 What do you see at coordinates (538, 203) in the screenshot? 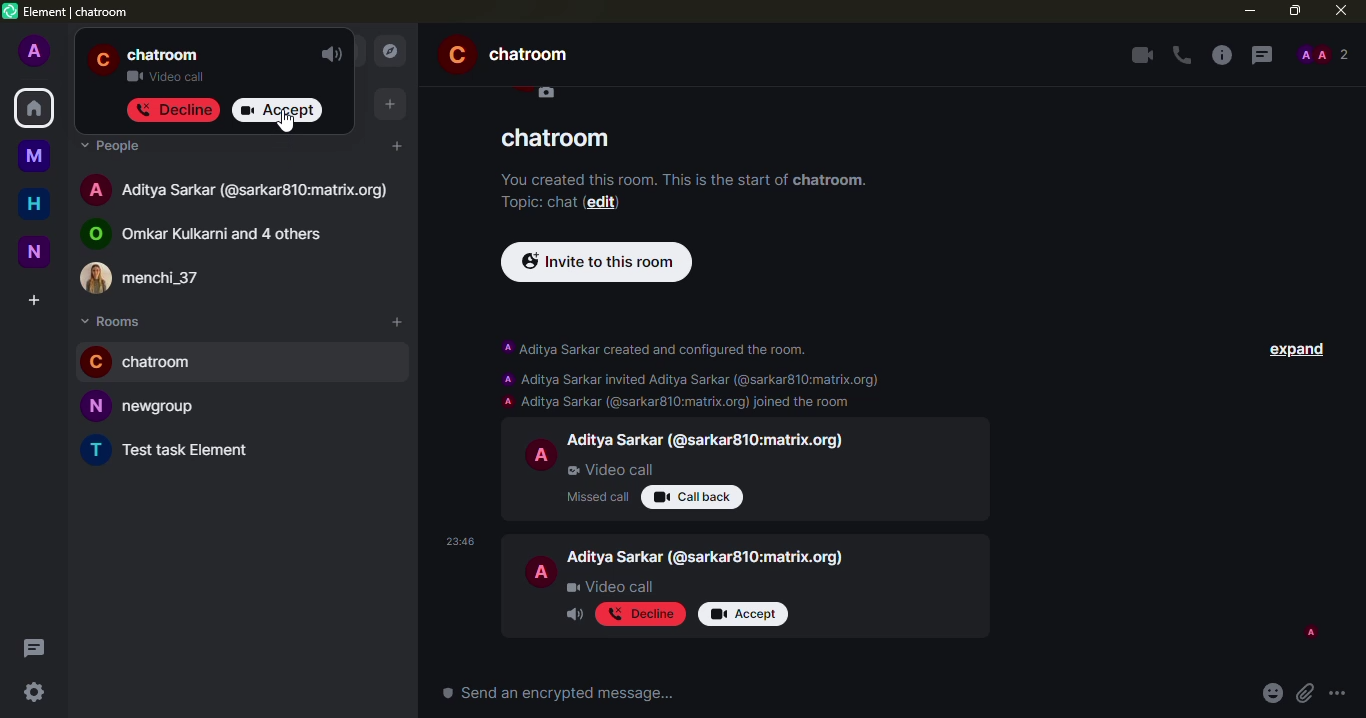
I see `topic:chat` at bounding box center [538, 203].